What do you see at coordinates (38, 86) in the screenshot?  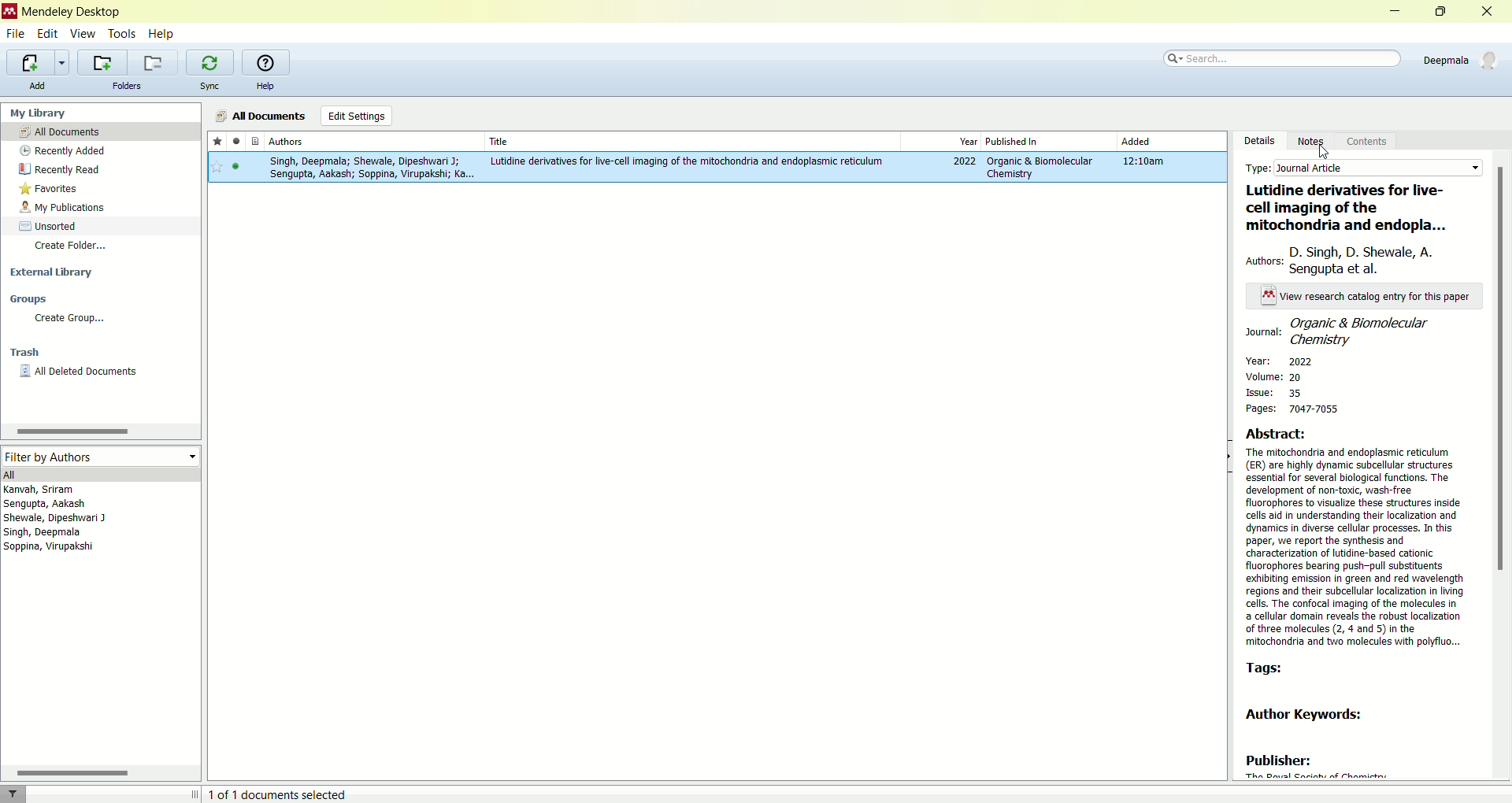 I see `add` at bounding box center [38, 86].